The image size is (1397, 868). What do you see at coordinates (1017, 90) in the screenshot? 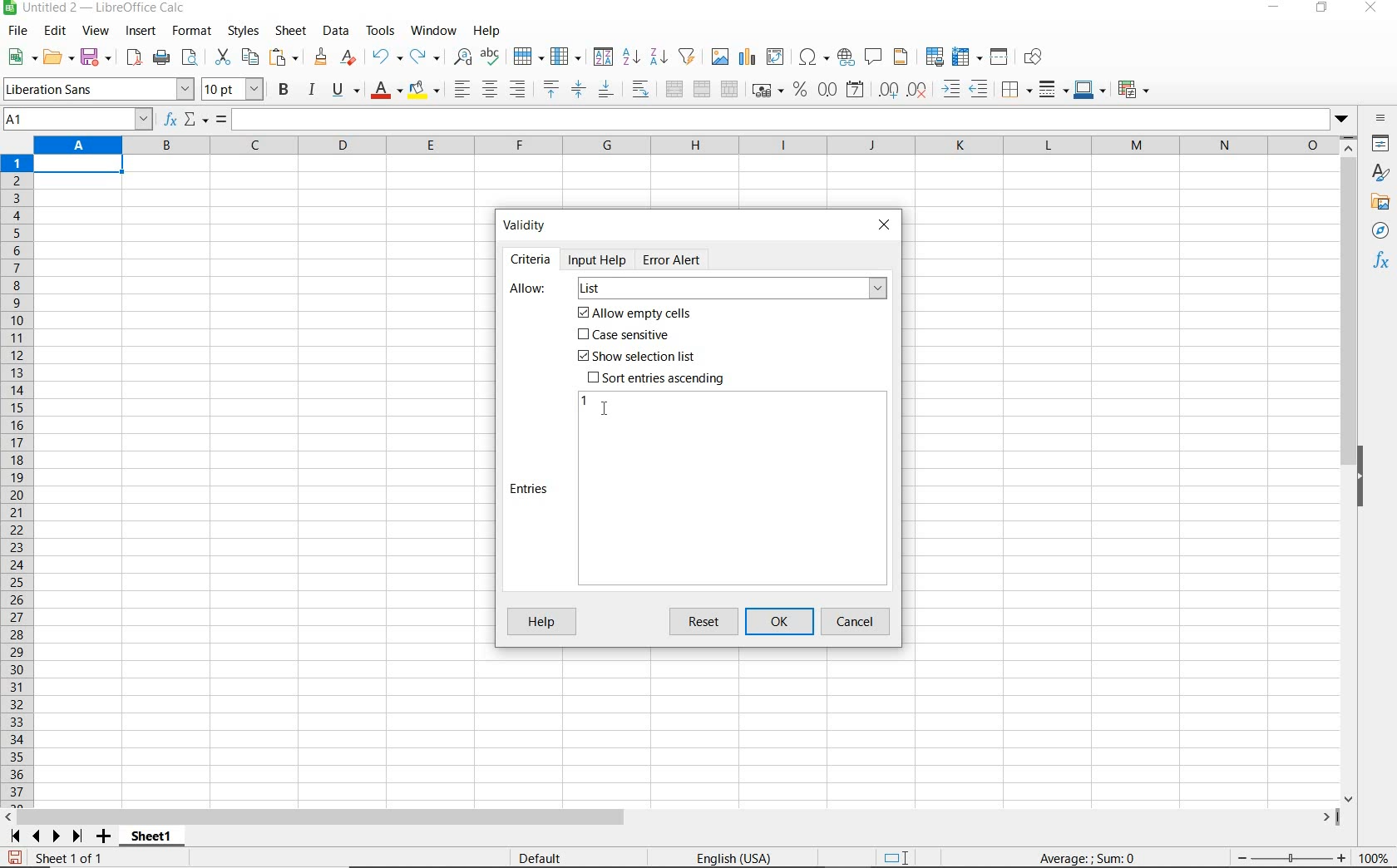
I see `borders` at bounding box center [1017, 90].